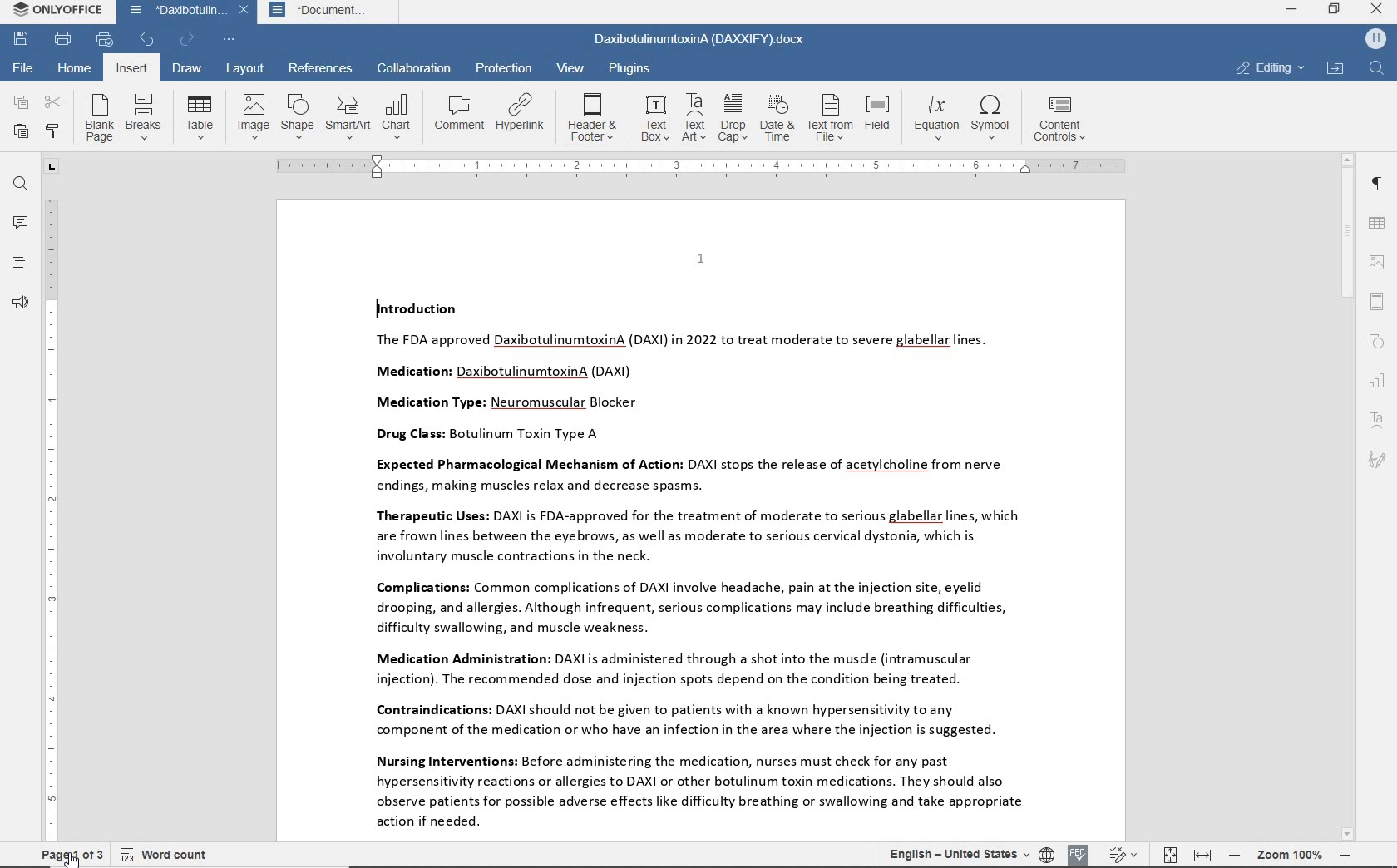 The width and height of the screenshot is (1397, 868). I want to click on undo, so click(148, 41).